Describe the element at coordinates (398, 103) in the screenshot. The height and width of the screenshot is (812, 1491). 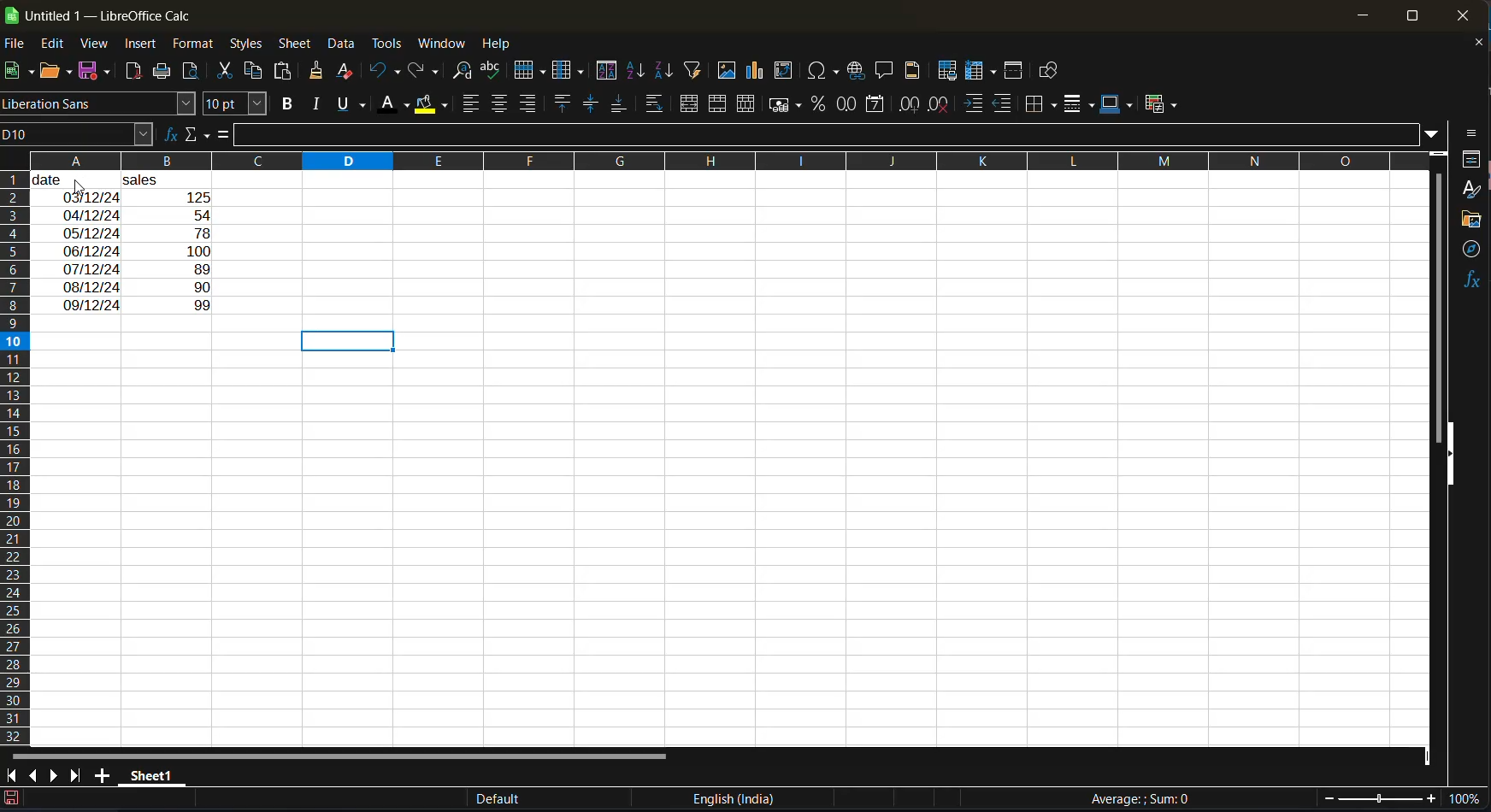
I see `font color` at that location.